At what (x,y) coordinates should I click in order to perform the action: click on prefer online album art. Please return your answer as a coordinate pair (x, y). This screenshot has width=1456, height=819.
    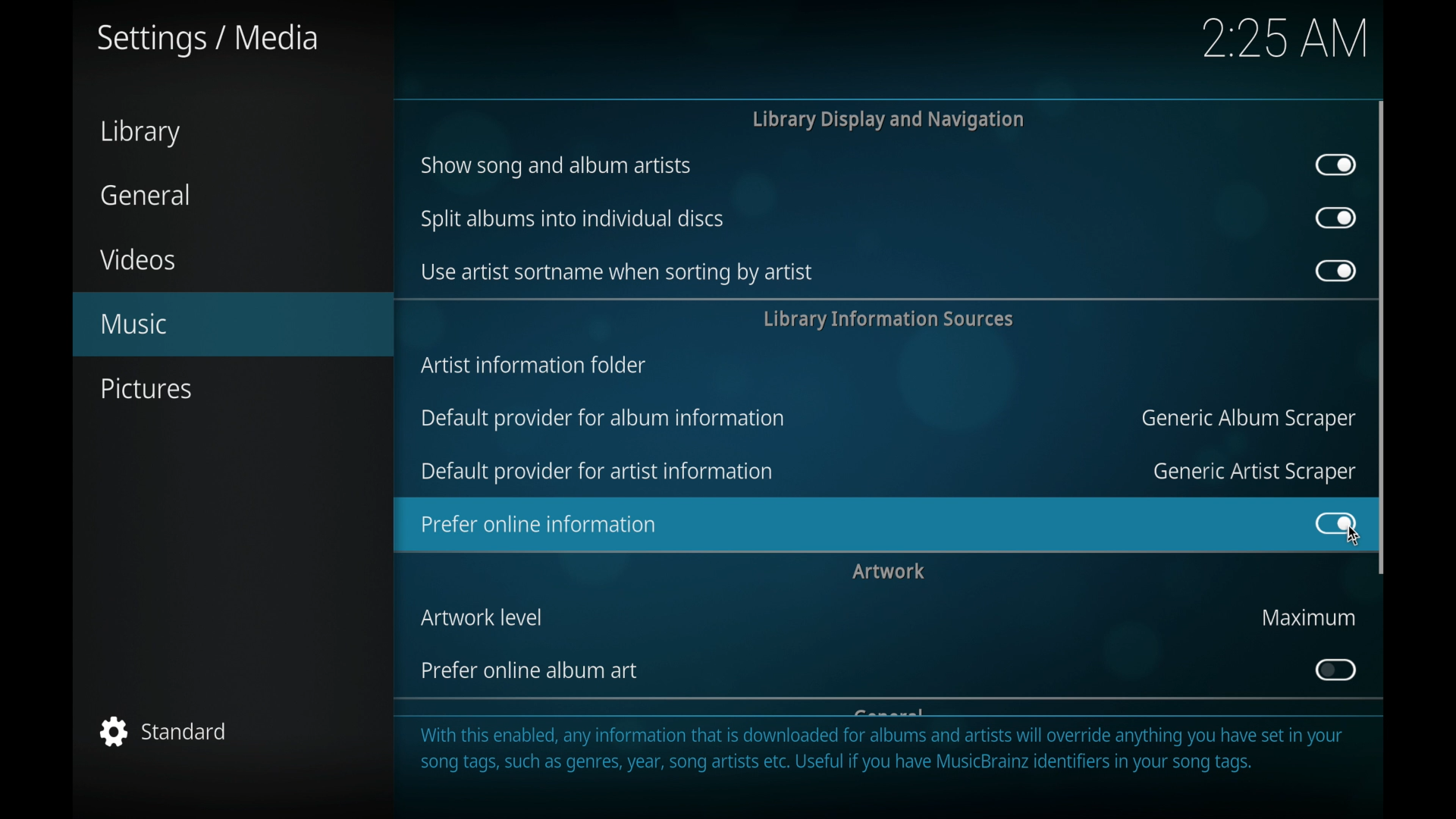
    Looking at the image, I should click on (528, 670).